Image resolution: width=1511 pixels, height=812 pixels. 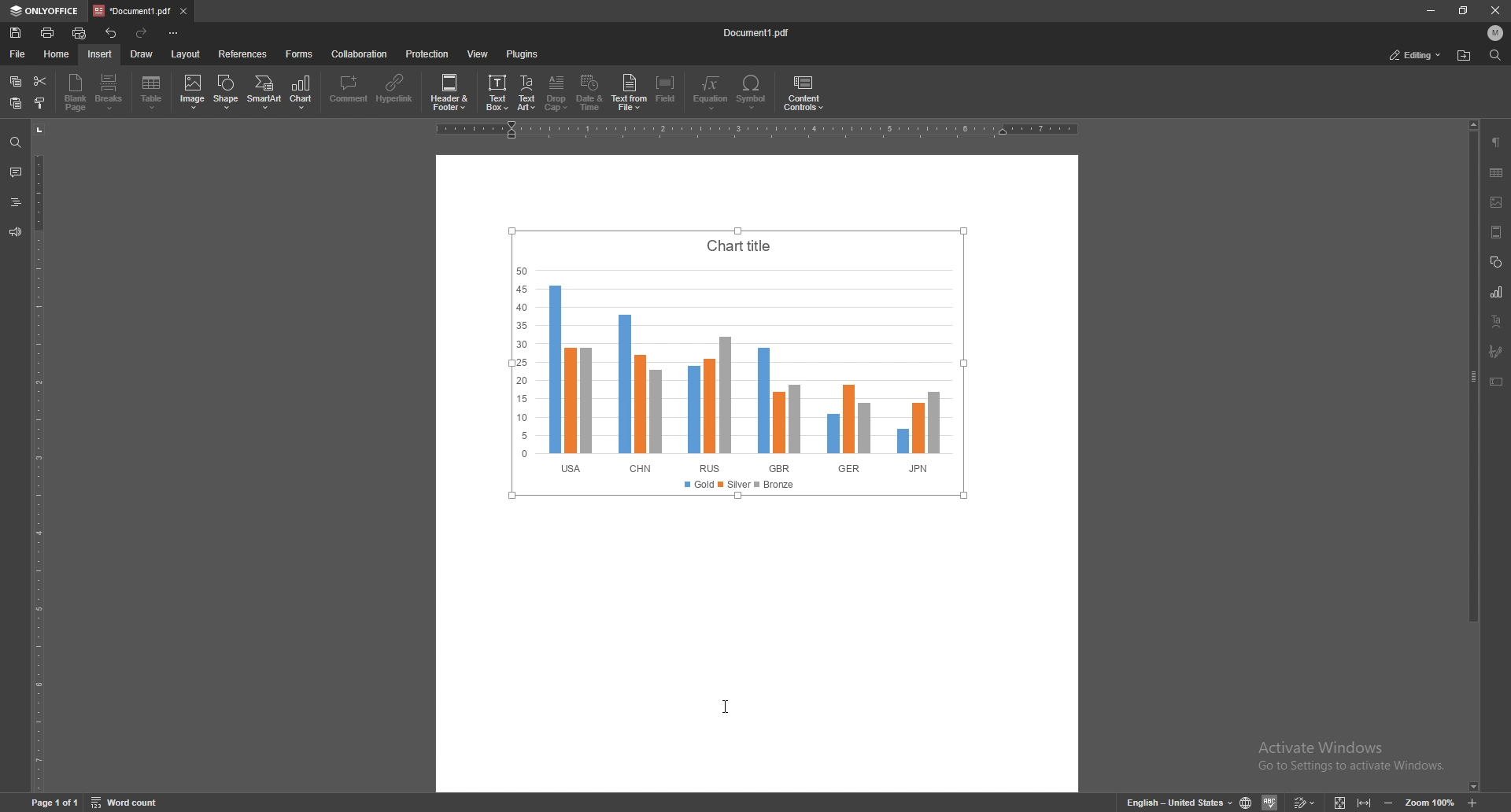 What do you see at coordinates (77, 92) in the screenshot?
I see `blank page` at bounding box center [77, 92].